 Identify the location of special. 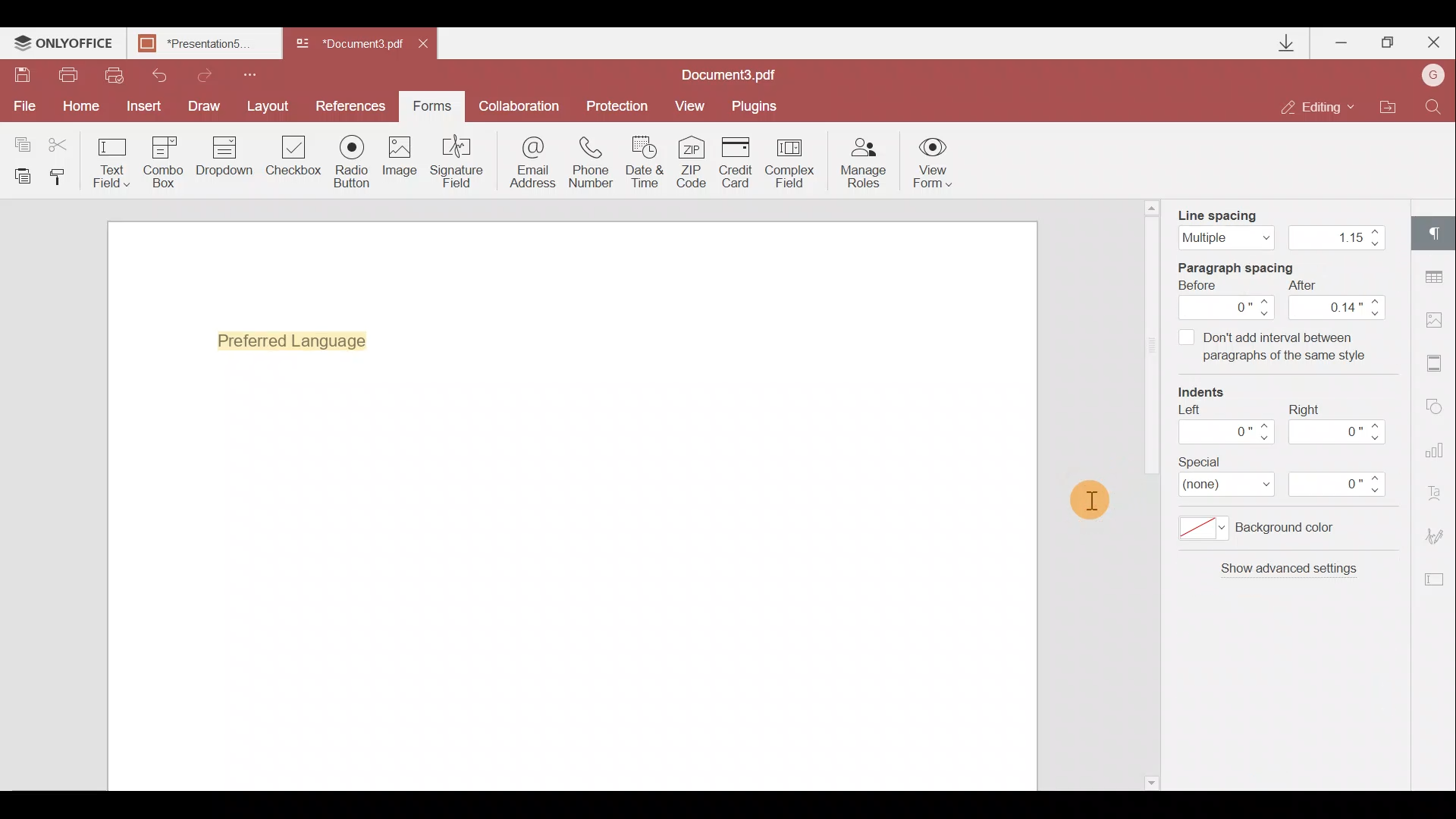
(1198, 460).